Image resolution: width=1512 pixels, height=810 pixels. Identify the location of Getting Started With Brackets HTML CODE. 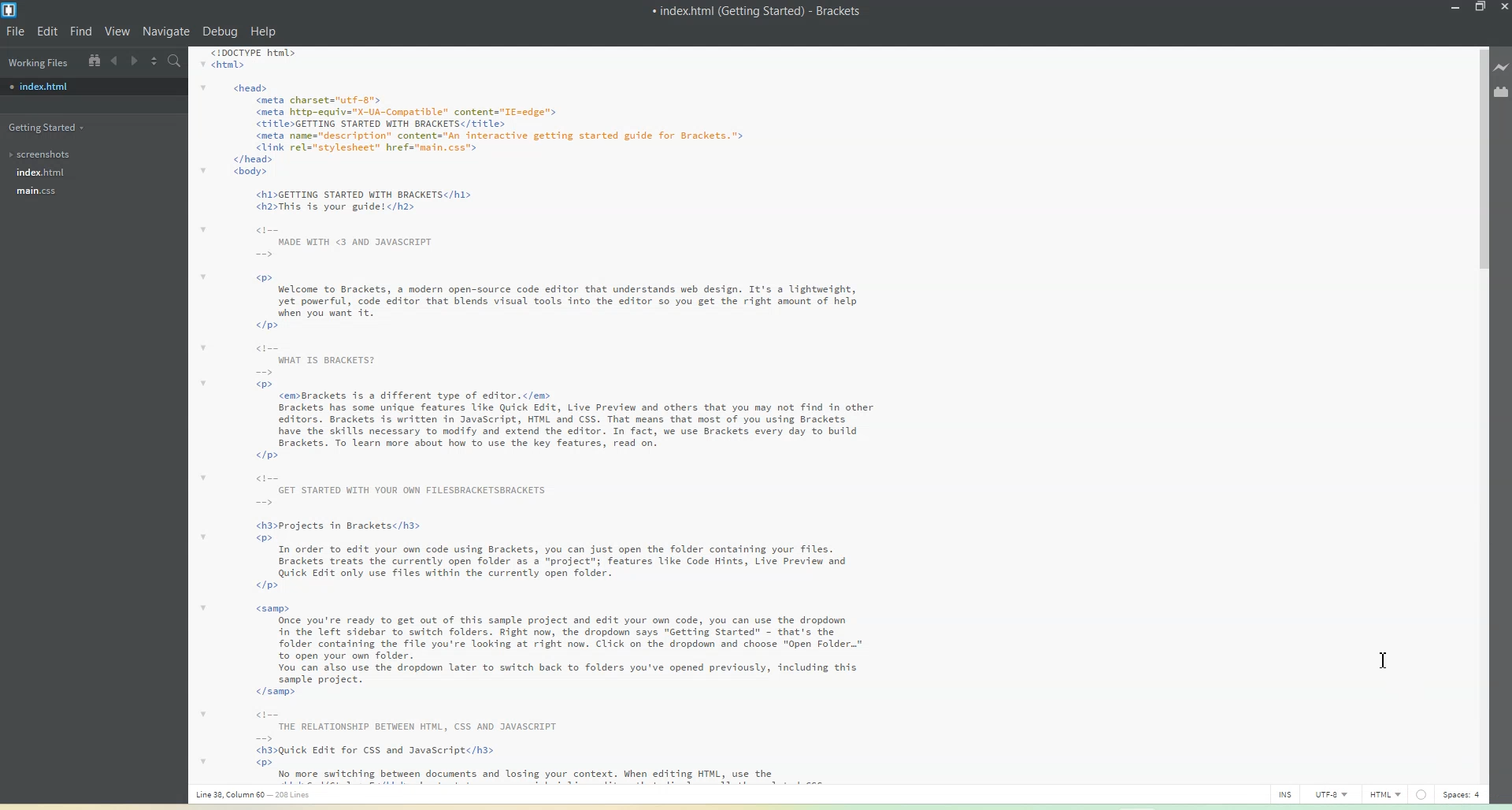
(578, 417).